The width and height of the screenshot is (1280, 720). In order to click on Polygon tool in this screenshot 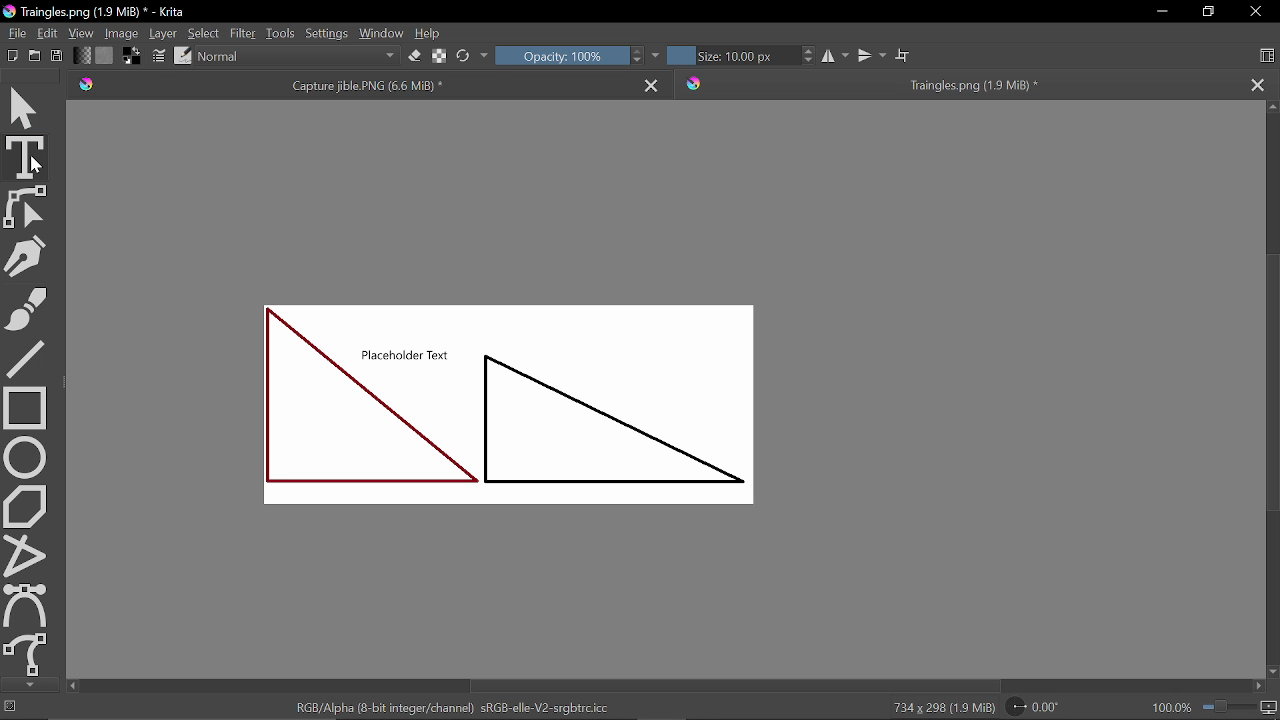, I will do `click(28, 506)`.